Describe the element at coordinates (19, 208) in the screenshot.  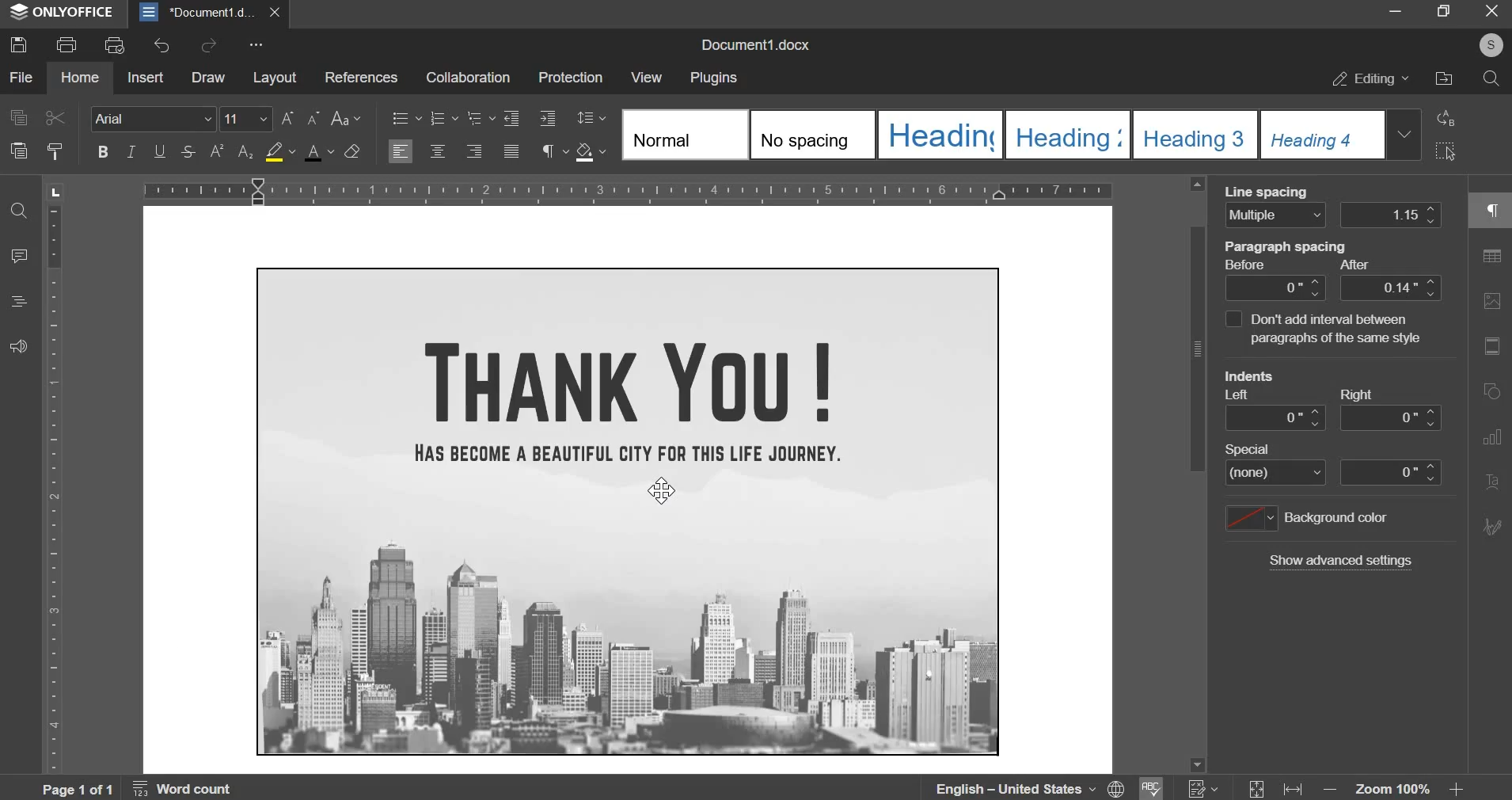
I see `find` at that location.